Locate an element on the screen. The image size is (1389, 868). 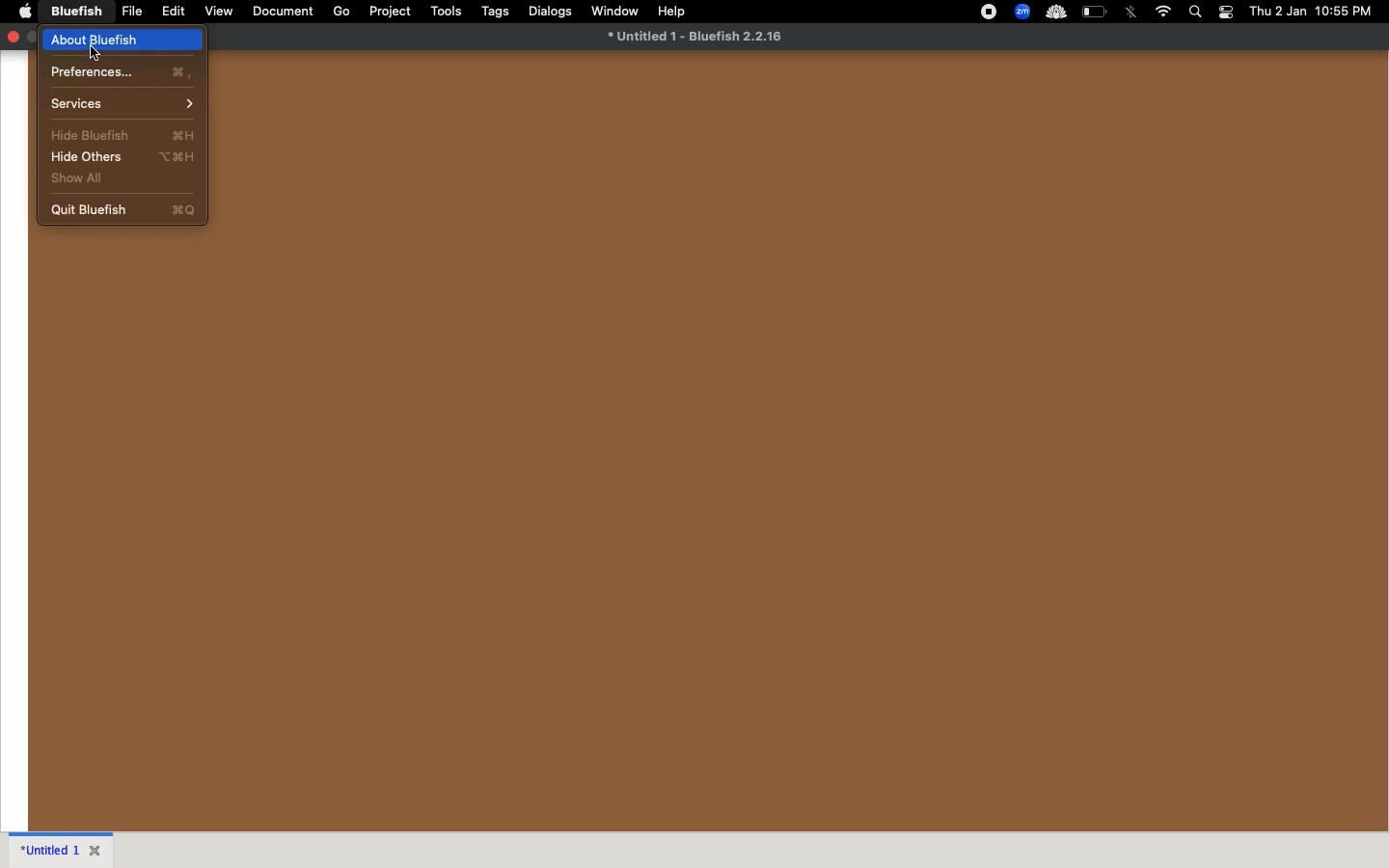
window is located at coordinates (615, 10).